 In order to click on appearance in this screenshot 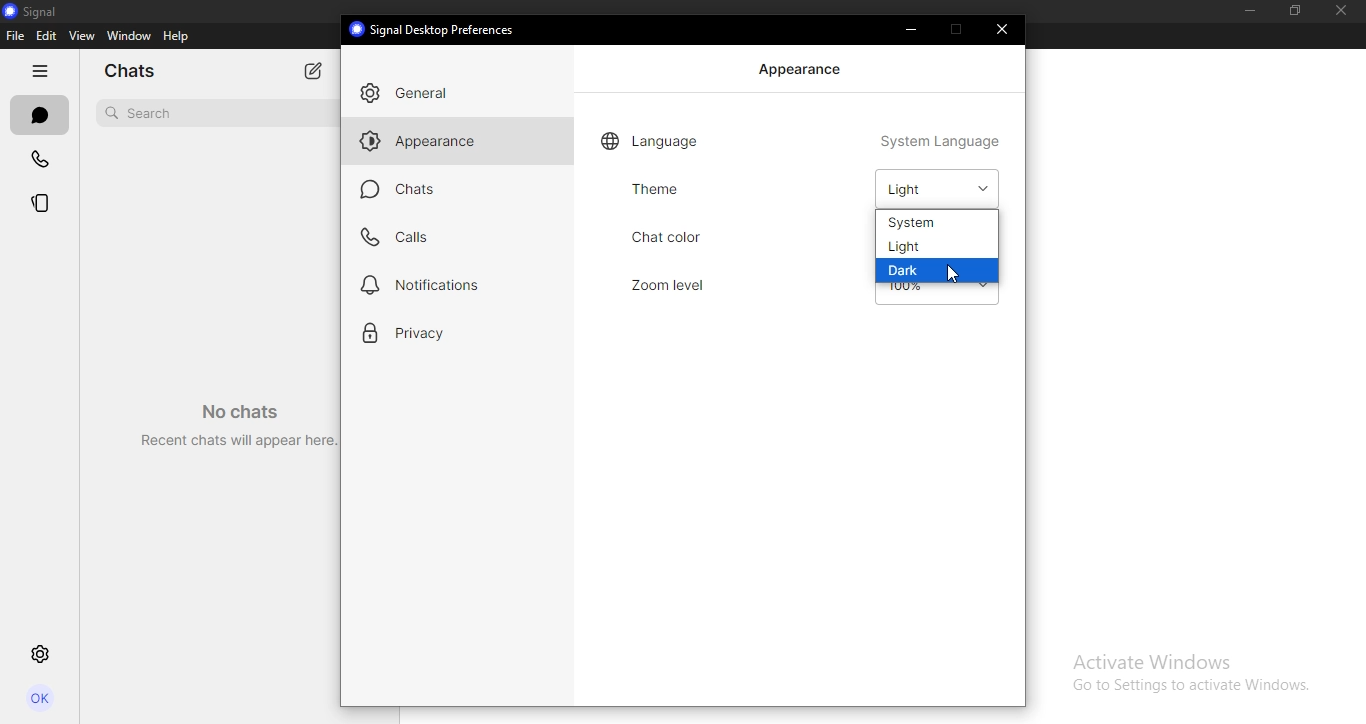, I will do `click(803, 69)`.